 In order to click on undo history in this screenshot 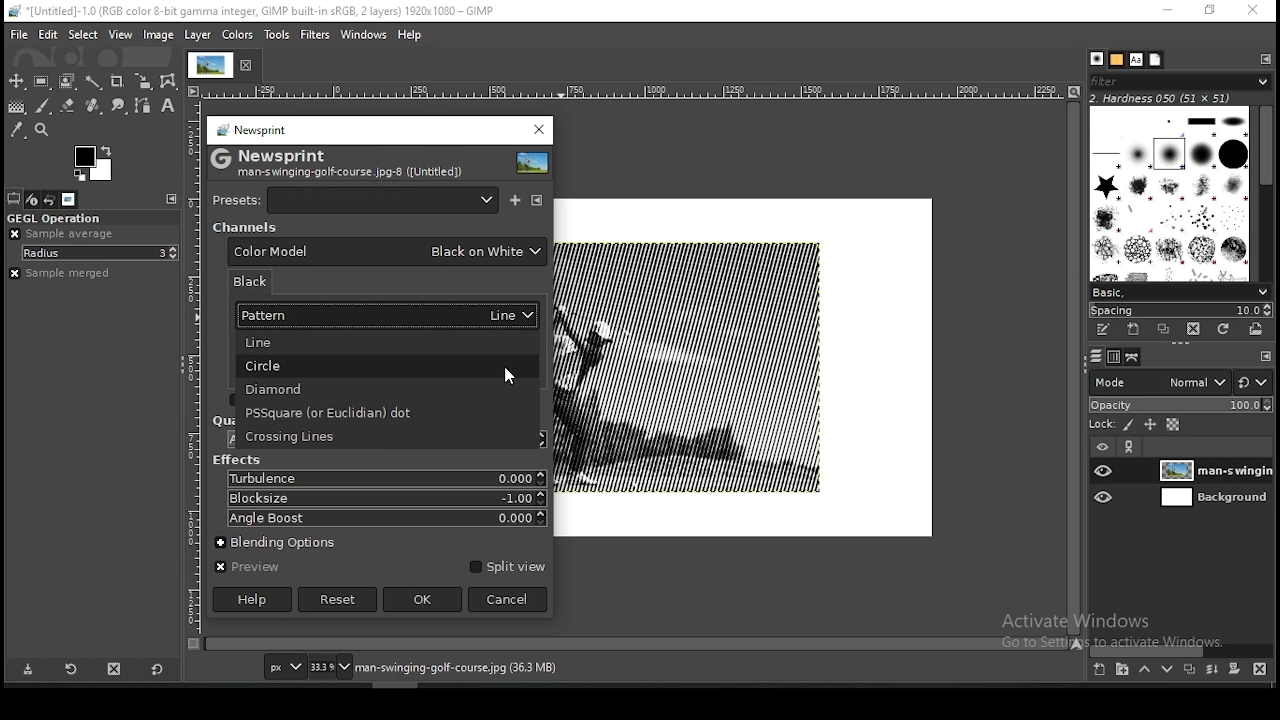, I will do `click(48, 199)`.